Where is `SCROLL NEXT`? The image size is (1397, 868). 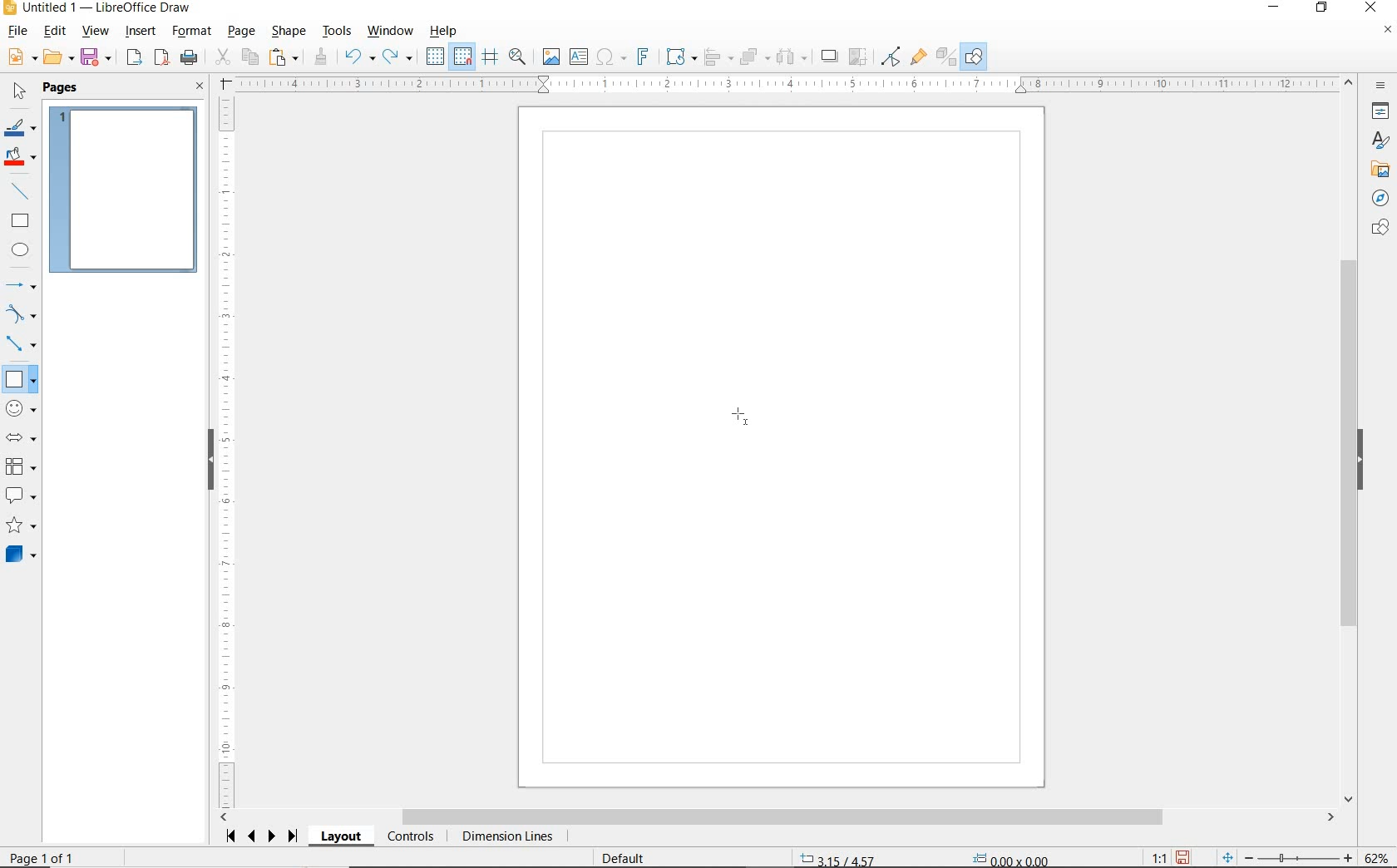 SCROLL NEXT is located at coordinates (263, 836).